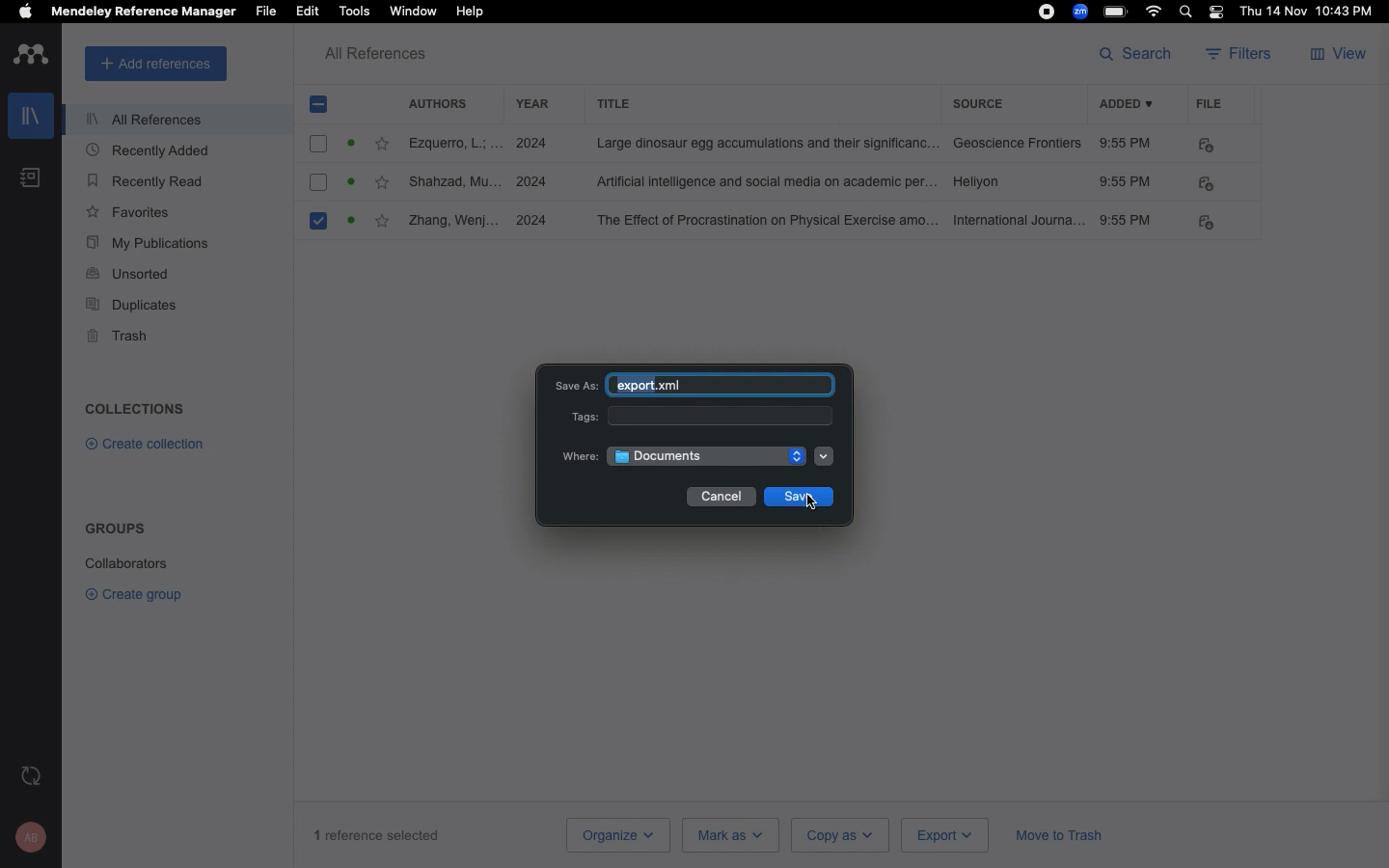  What do you see at coordinates (321, 108) in the screenshot?
I see `Remove selection` at bounding box center [321, 108].